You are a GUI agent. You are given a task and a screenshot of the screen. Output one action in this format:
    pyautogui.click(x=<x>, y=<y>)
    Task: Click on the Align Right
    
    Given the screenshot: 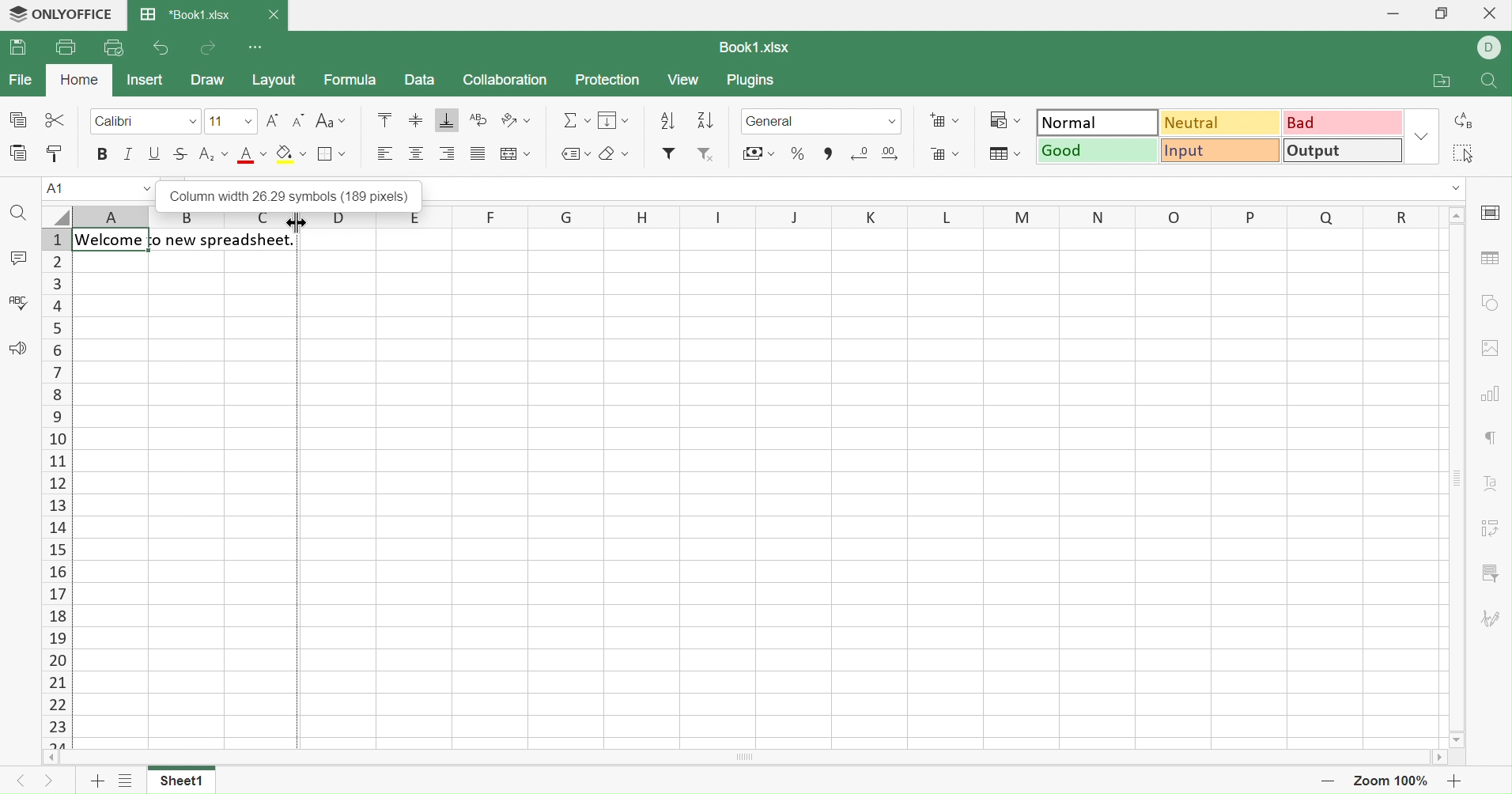 What is the action you would take?
    pyautogui.click(x=451, y=153)
    